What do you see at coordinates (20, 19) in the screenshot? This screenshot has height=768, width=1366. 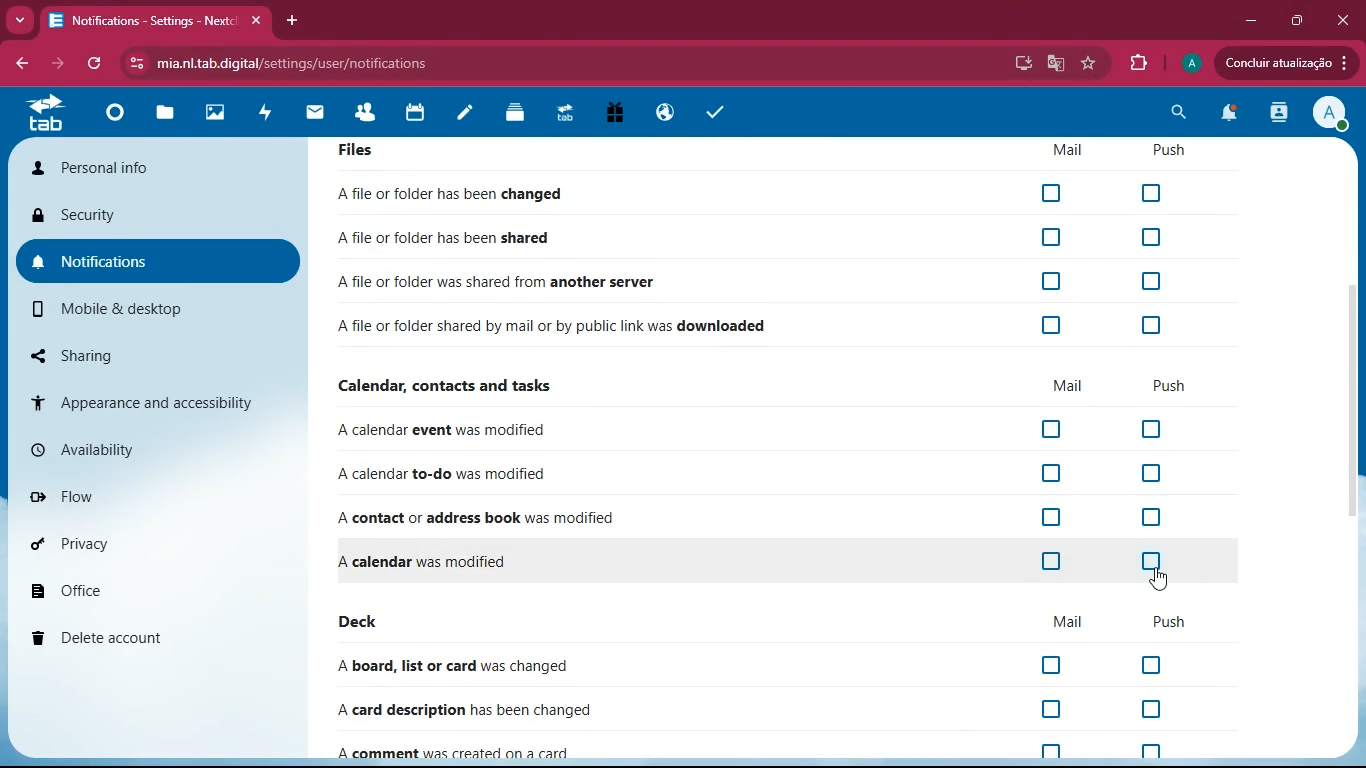 I see `more` at bounding box center [20, 19].